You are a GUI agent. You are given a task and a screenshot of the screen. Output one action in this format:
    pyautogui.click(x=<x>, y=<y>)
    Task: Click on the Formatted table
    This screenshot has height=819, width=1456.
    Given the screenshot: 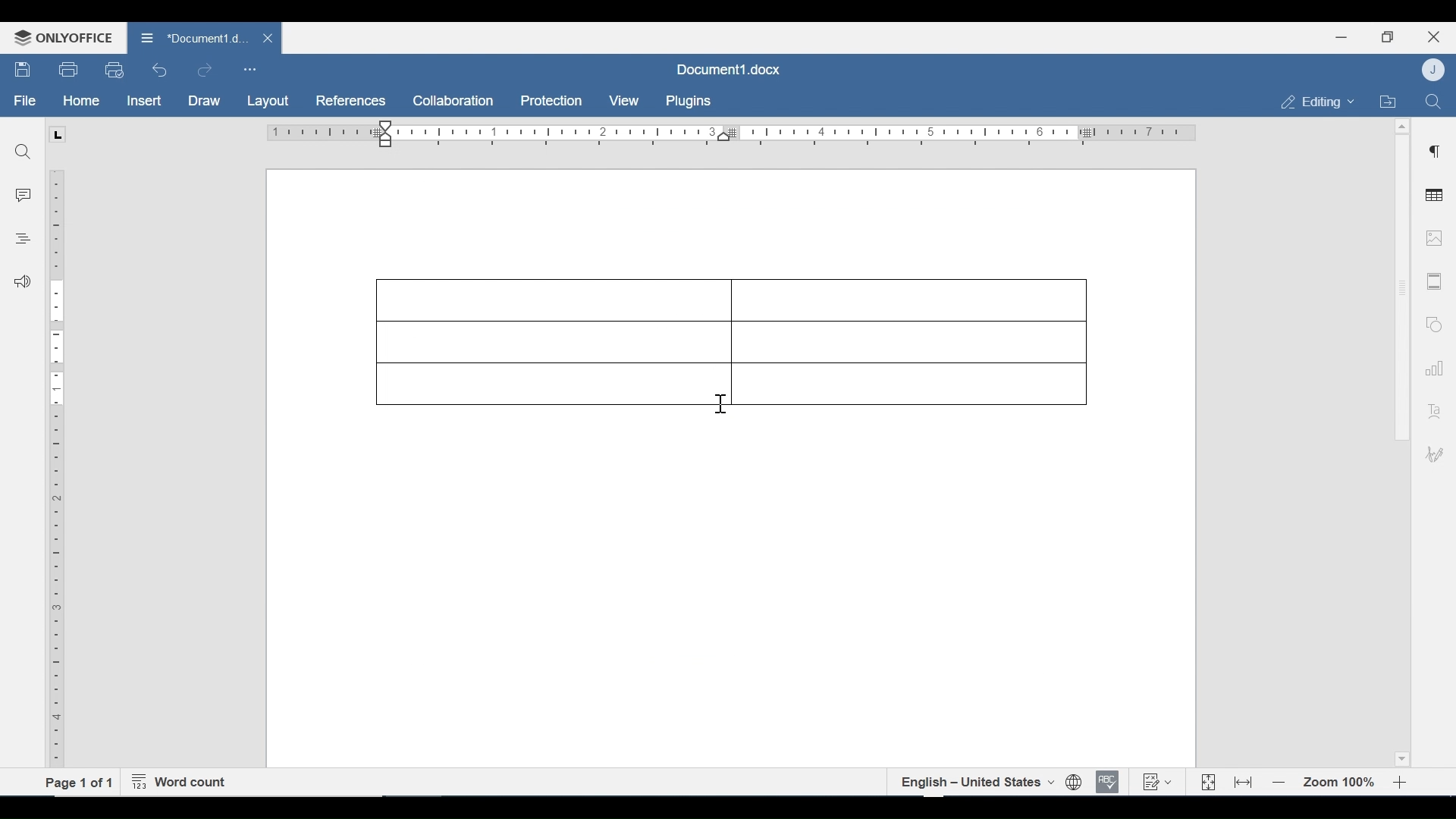 What is the action you would take?
    pyautogui.click(x=729, y=342)
    